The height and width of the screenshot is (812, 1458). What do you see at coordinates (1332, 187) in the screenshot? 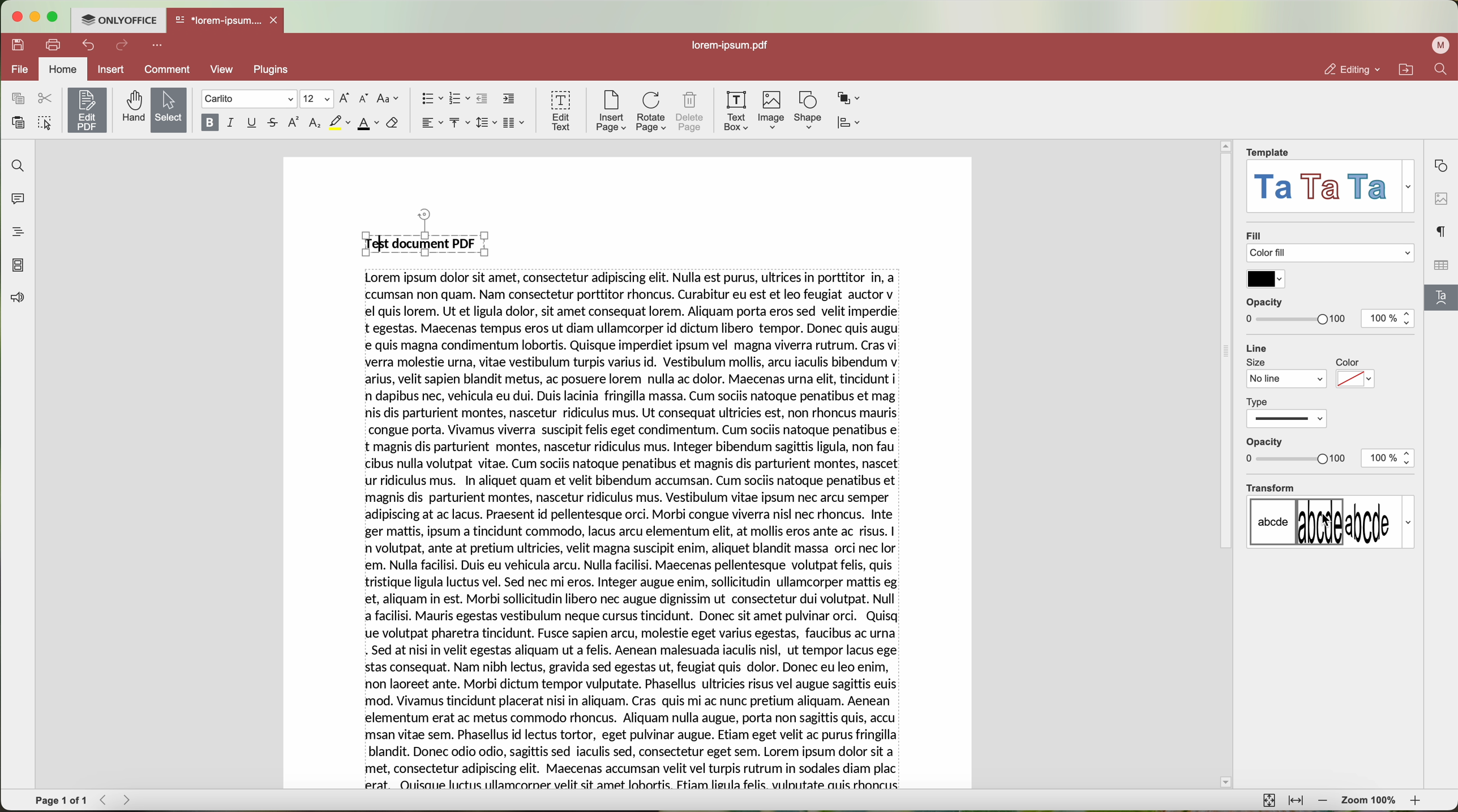
I see `letters` at bounding box center [1332, 187].